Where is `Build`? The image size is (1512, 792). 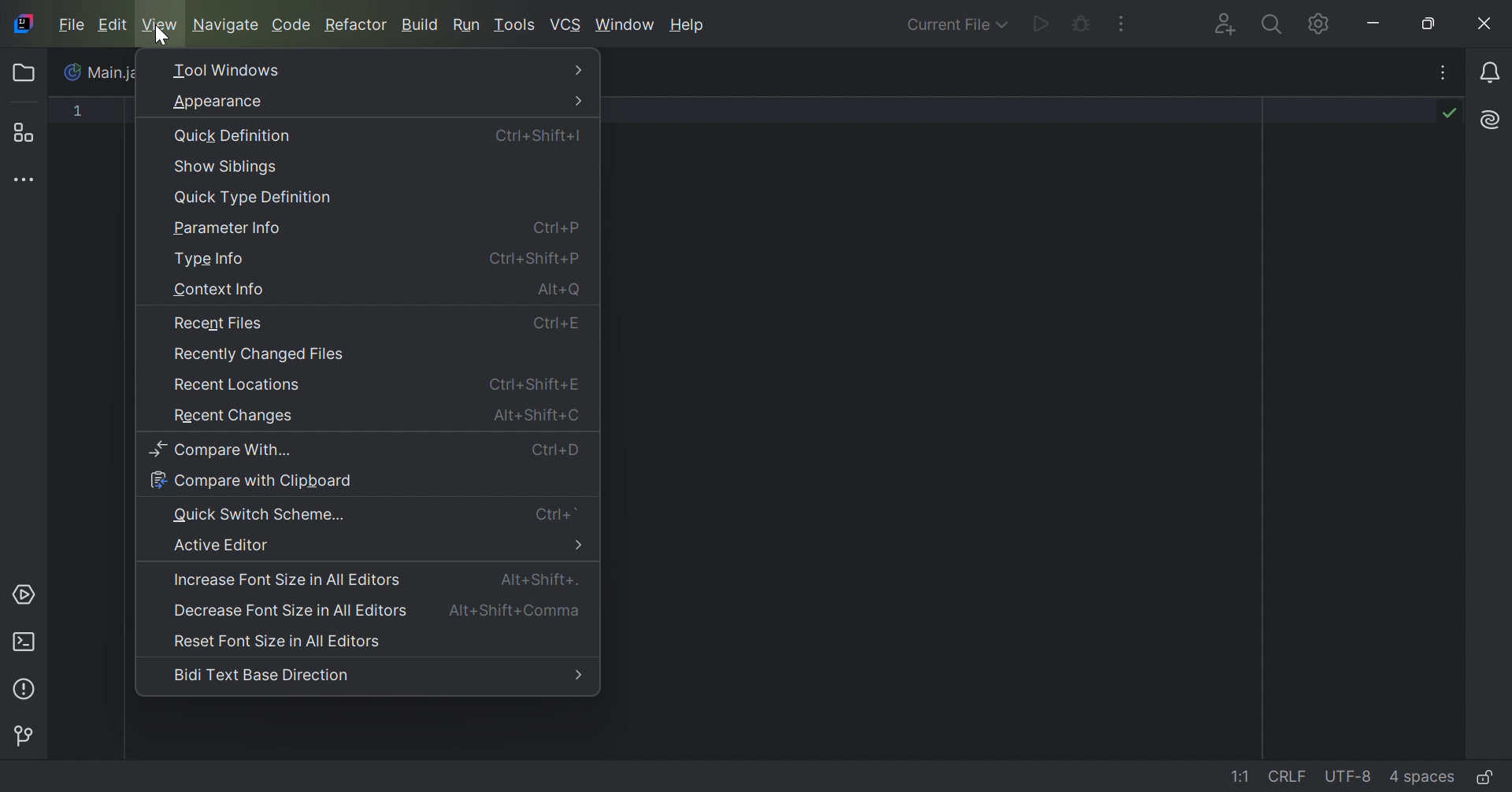 Build is located at coordinates (421, 26).